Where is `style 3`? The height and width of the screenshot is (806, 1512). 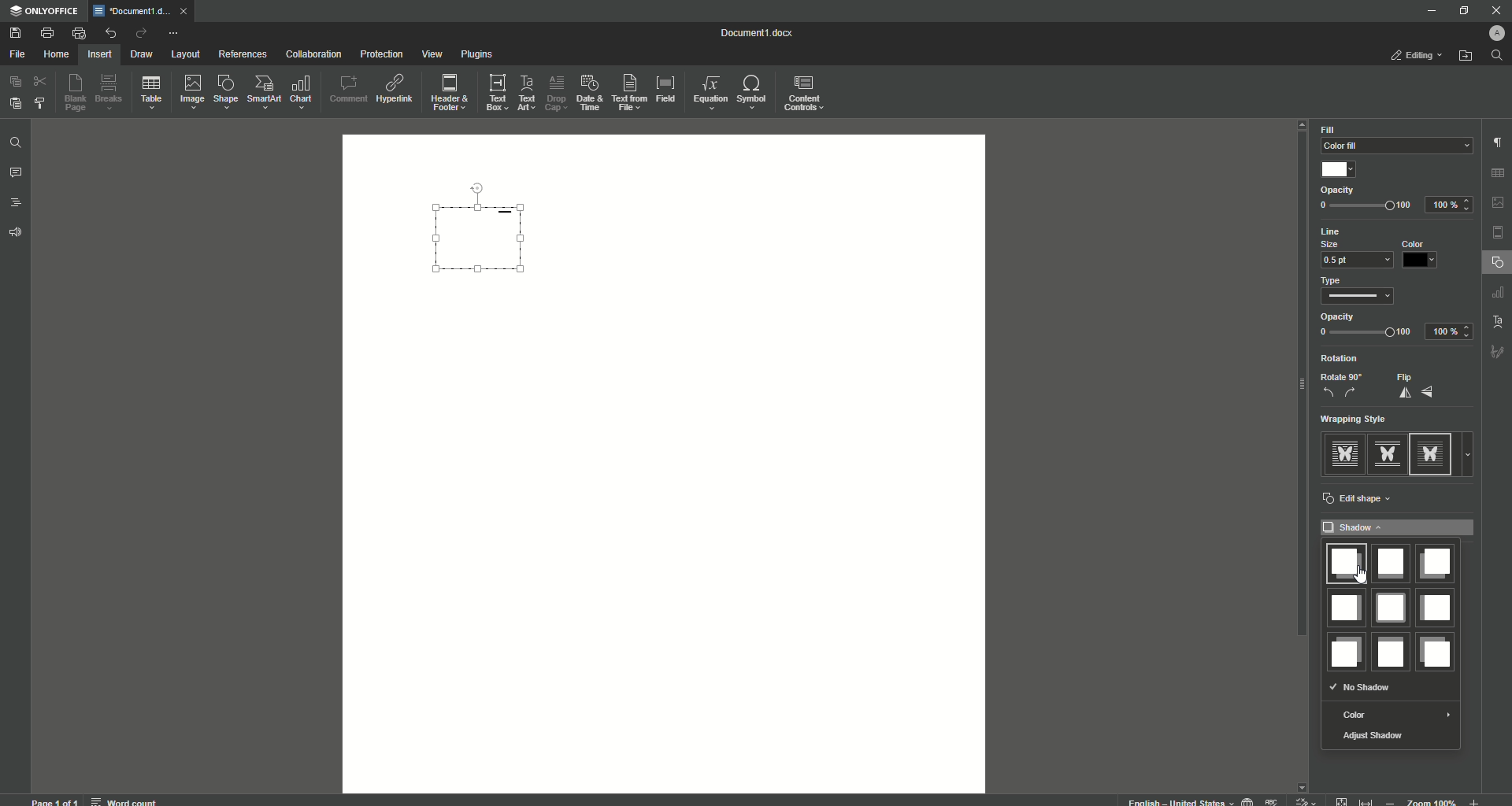
style 3 is located at coordinates (1434, 453).